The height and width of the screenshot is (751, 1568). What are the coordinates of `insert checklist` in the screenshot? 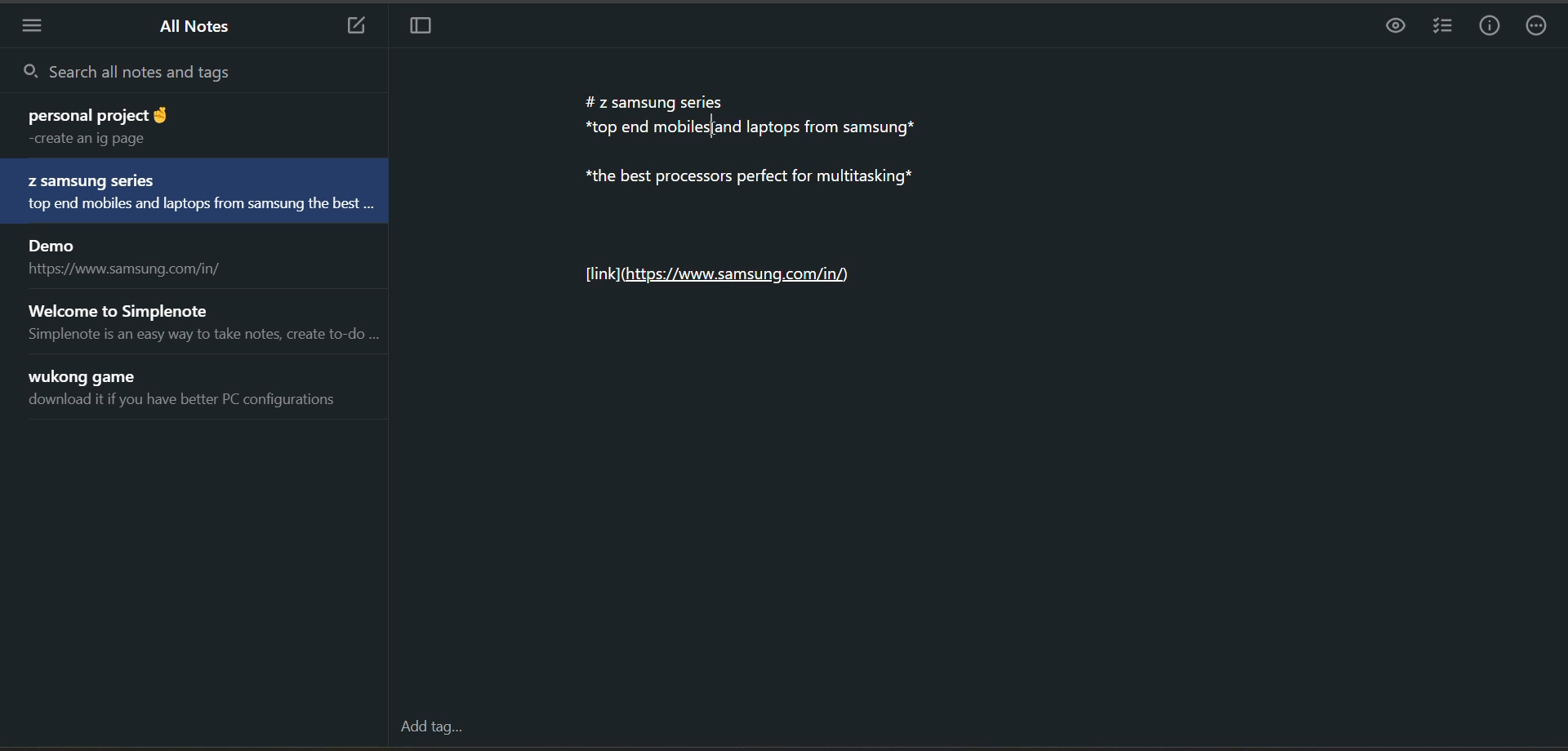 It's located at (1440, 26).